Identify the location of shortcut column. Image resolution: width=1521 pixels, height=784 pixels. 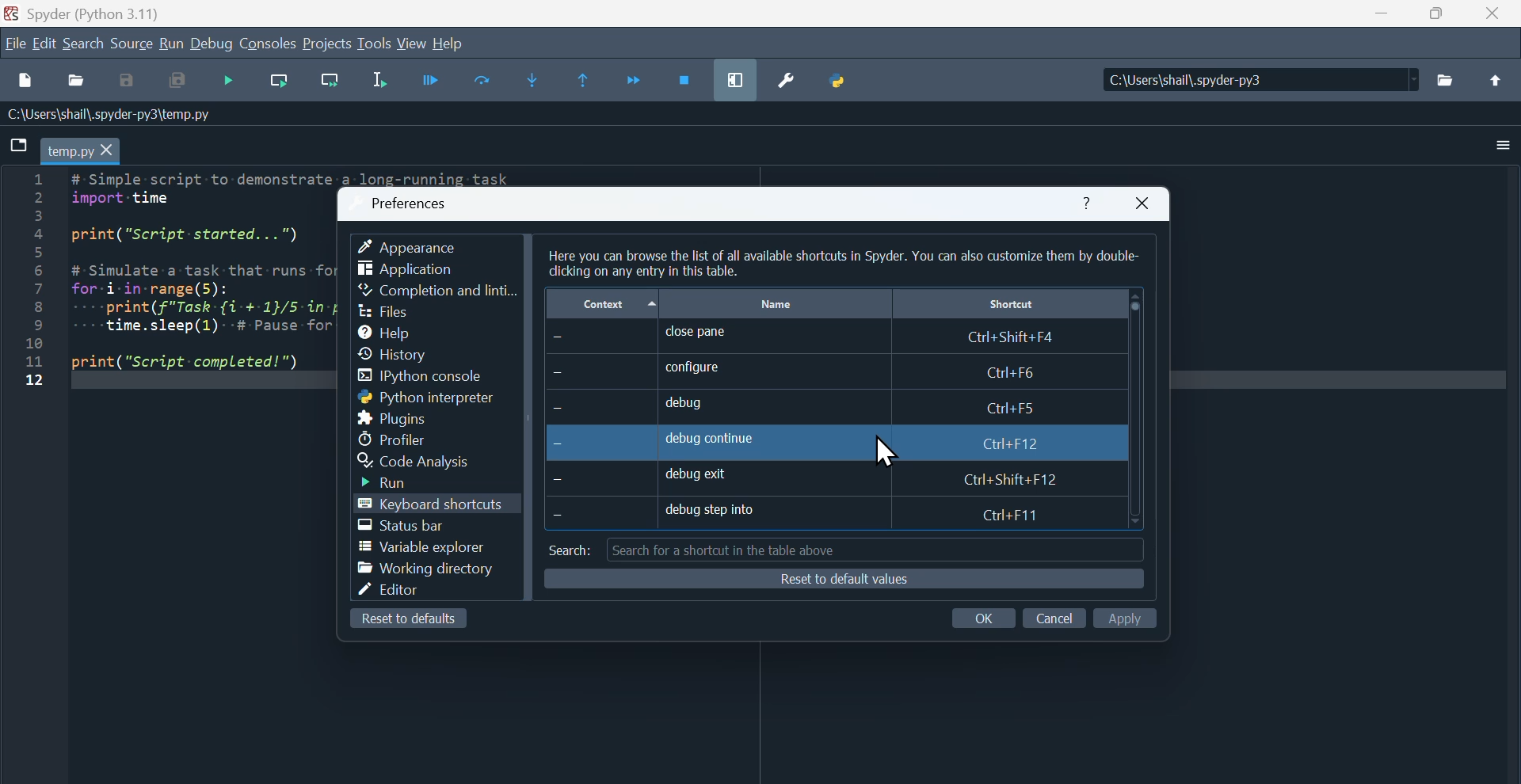
(1007, 305).